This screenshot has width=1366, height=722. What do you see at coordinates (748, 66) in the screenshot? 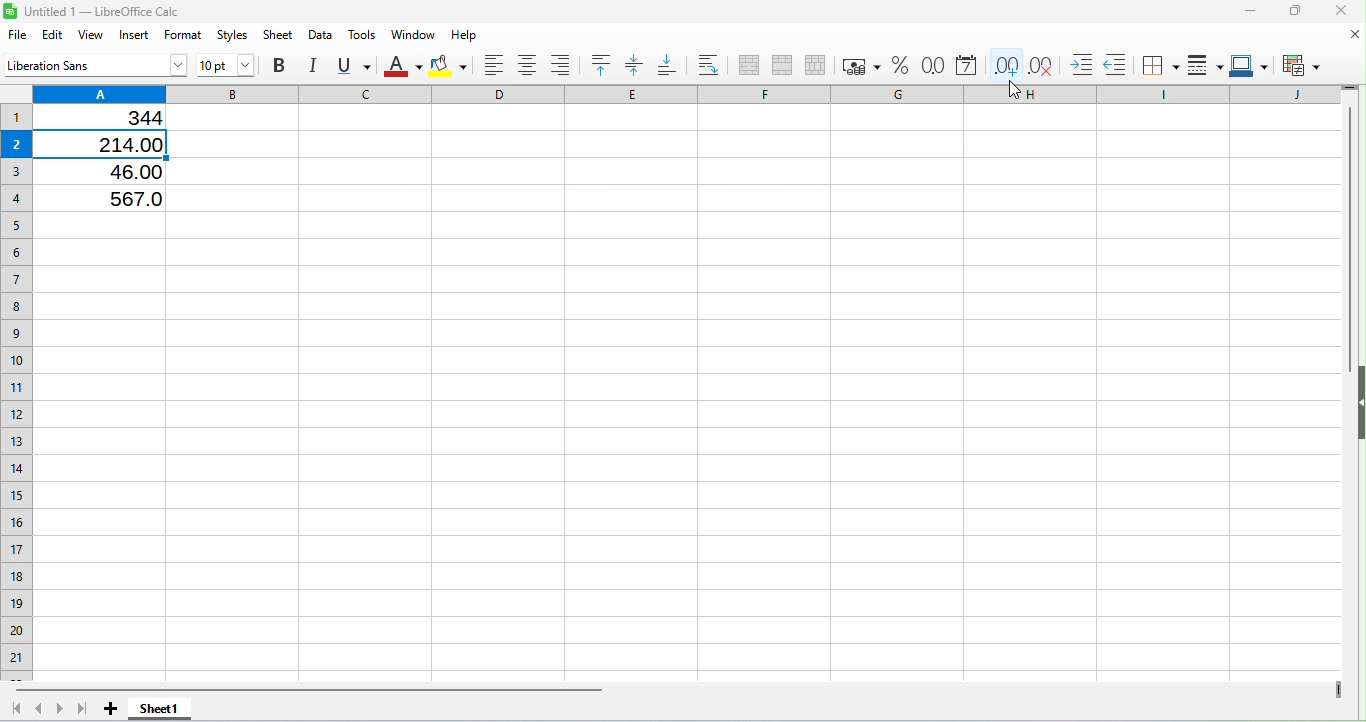
I see `Merge and center or unmerge cells depending on the current toggle state` at bounding box center [748, 66].